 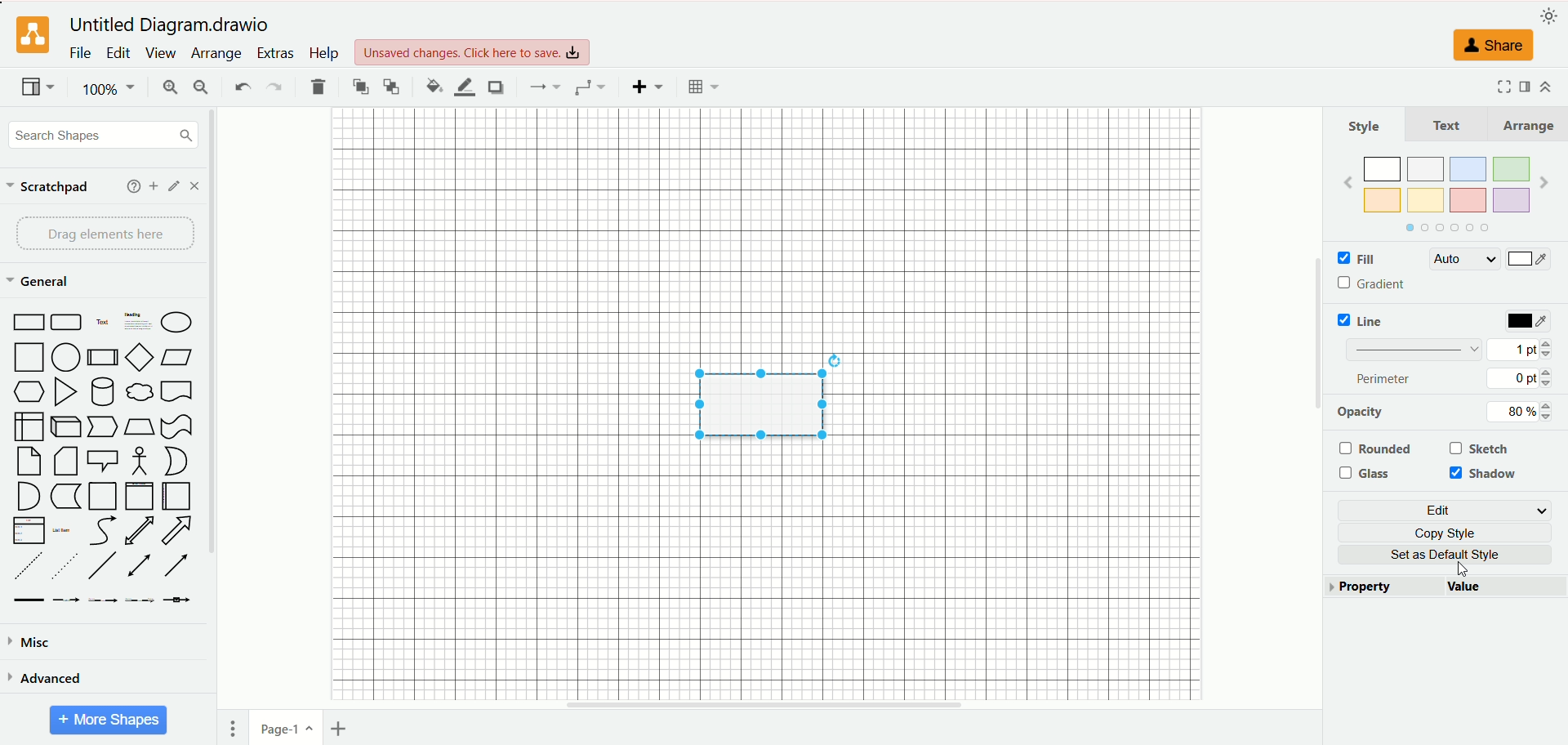 What do you see at coordinates (765, 705) in the screenshot?
I see `horizontal scroll bar` at bounding box center [765, 705].